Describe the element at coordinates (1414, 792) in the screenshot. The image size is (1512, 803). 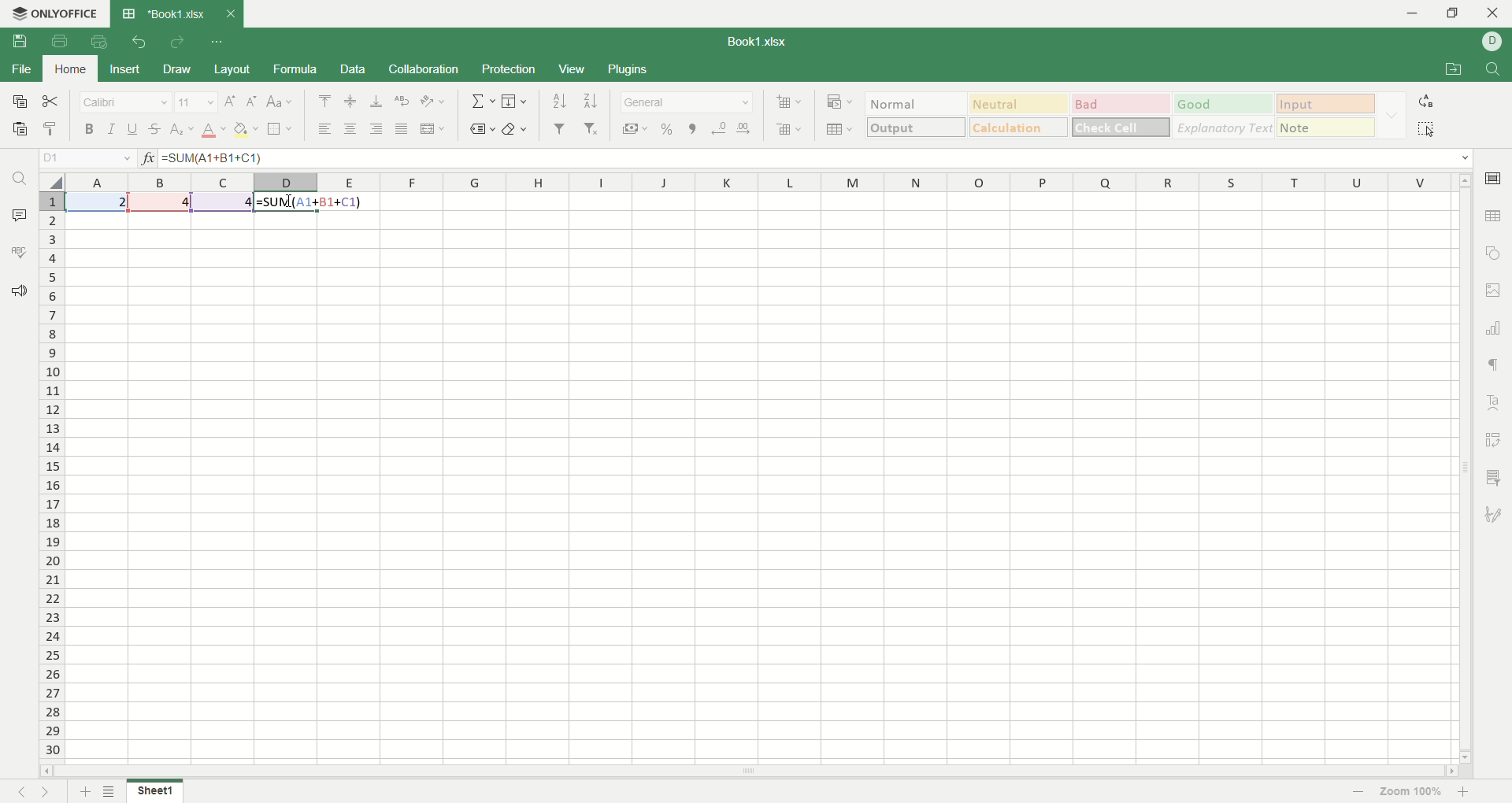
I see `zoom factor` at that location.